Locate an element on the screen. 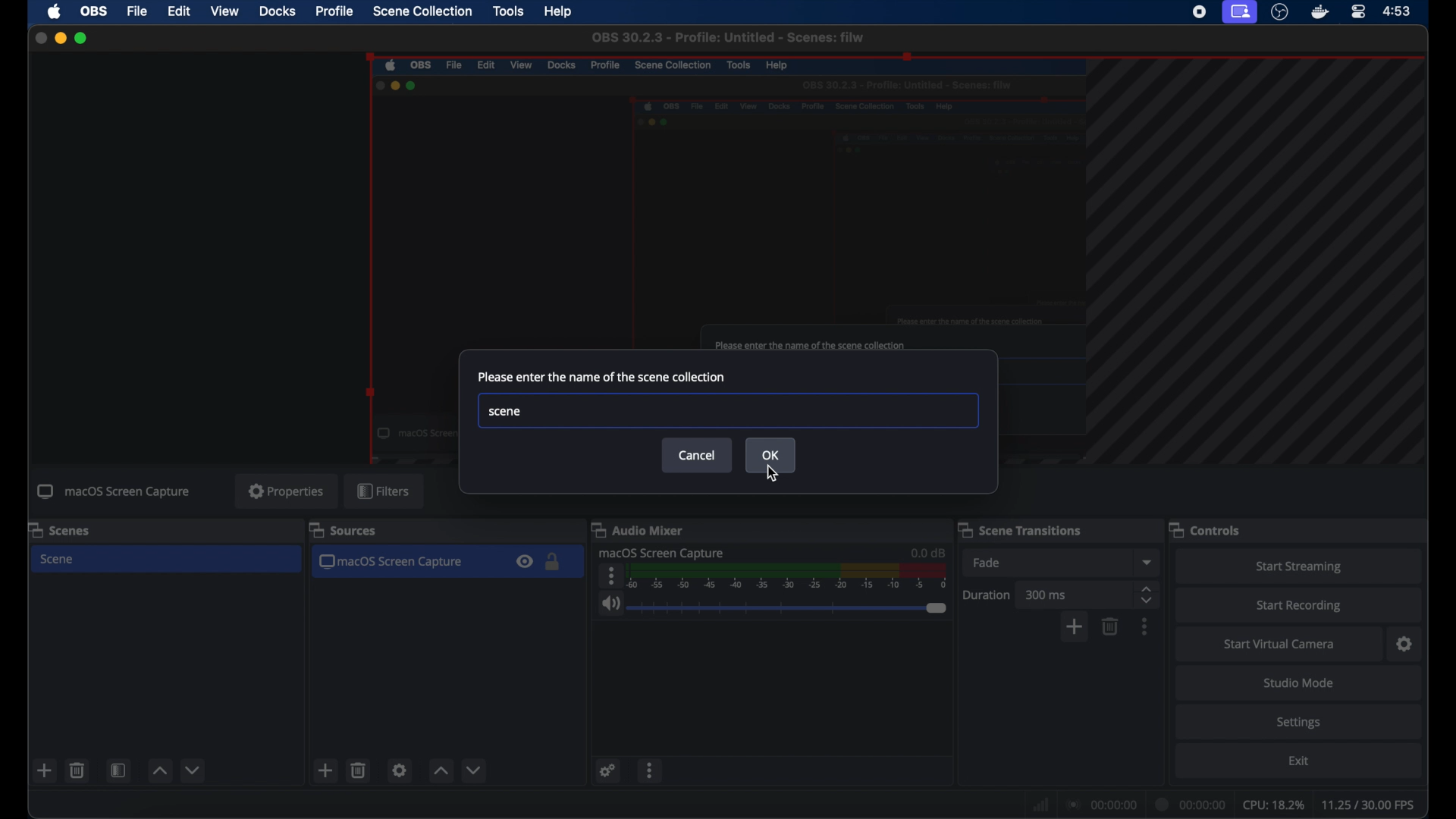  connection is located at coordinates (1103, 802).